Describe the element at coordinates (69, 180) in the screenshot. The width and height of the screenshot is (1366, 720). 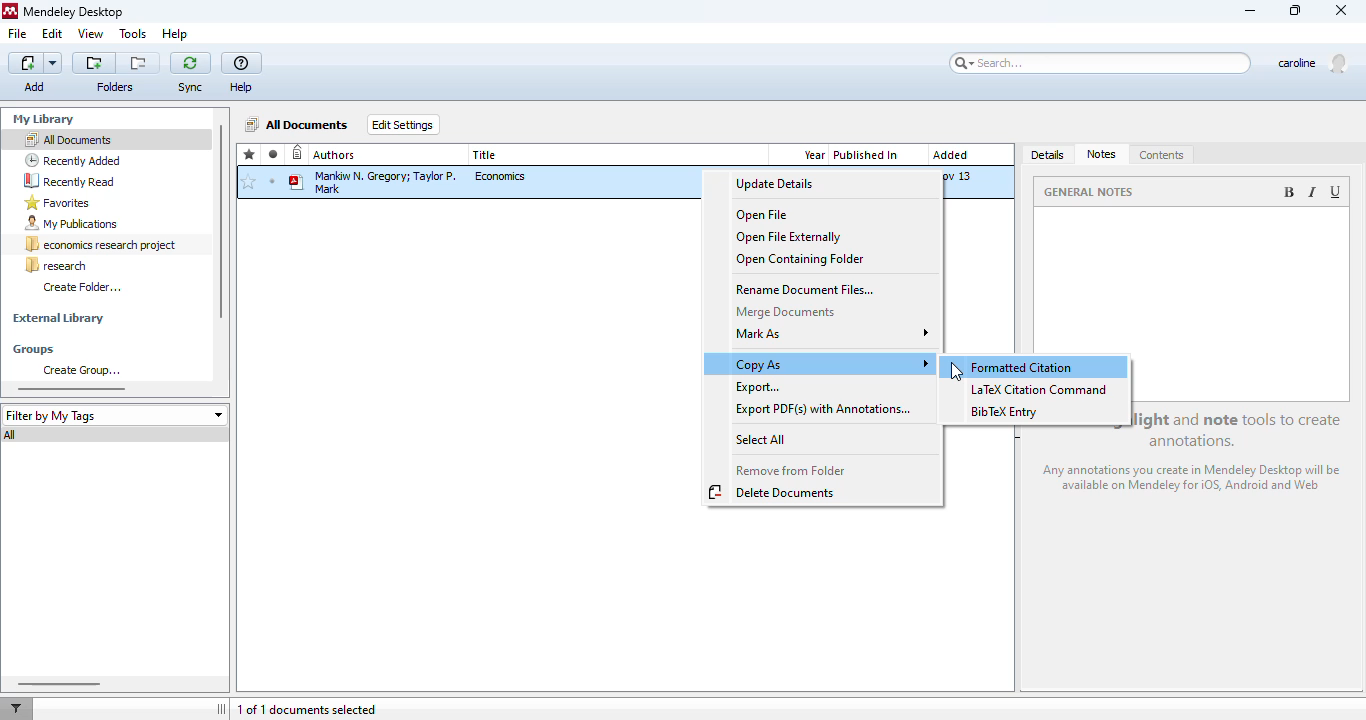
I see `recently read` at that location.